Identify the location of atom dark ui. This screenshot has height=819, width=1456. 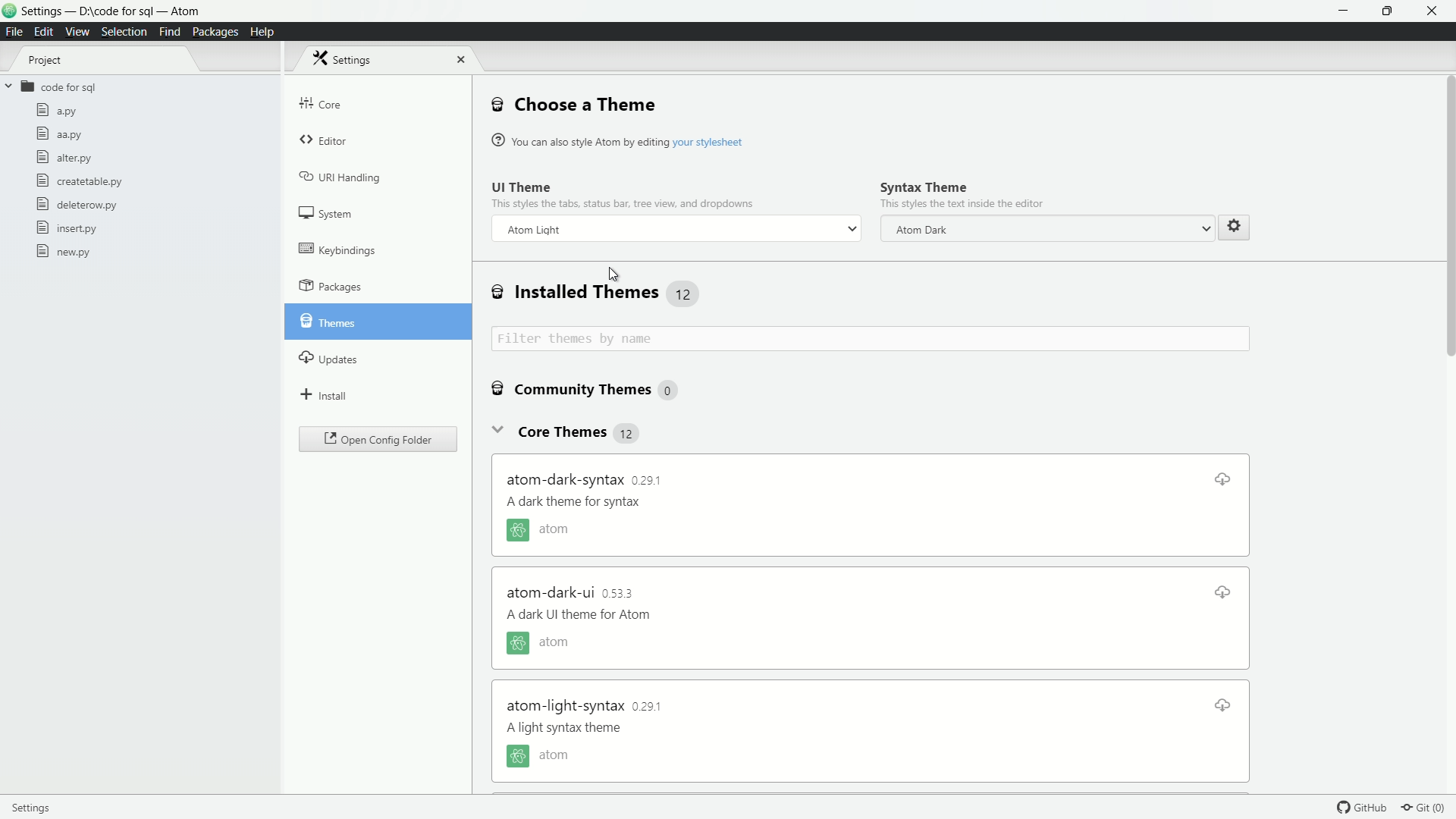
(573, 593).